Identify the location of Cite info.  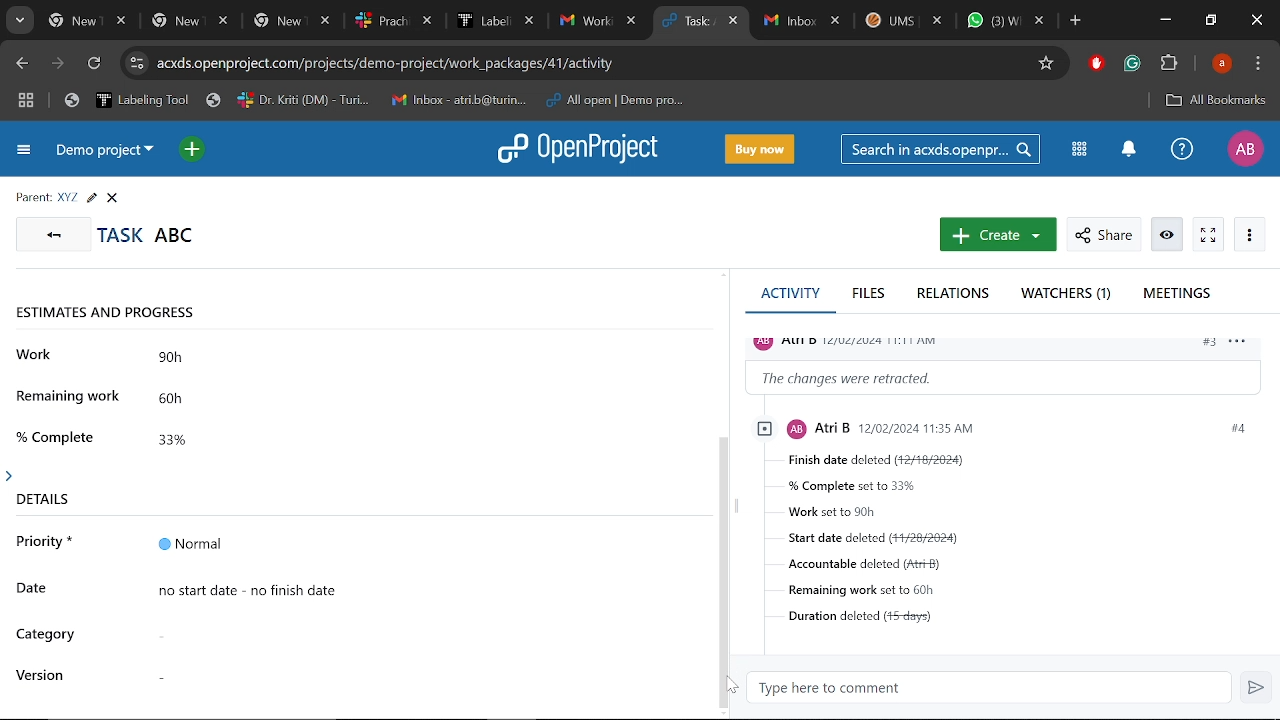
(137, 64).